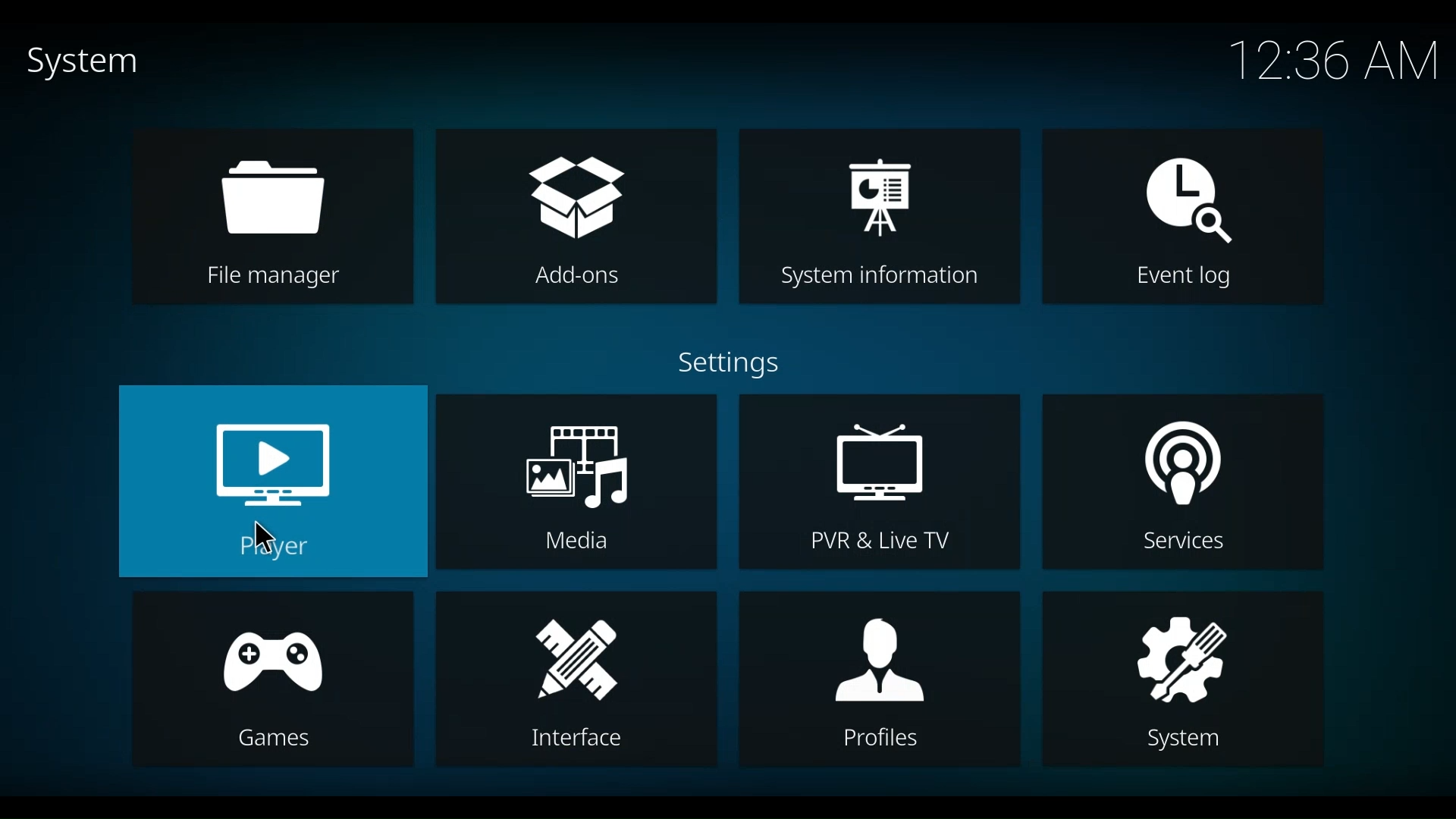 The width and height of the screenshot is (1456, 819). What do you see at coordinates (579, 479) in the screenshot?
I see `Media ` at bounding box center [579, 479].